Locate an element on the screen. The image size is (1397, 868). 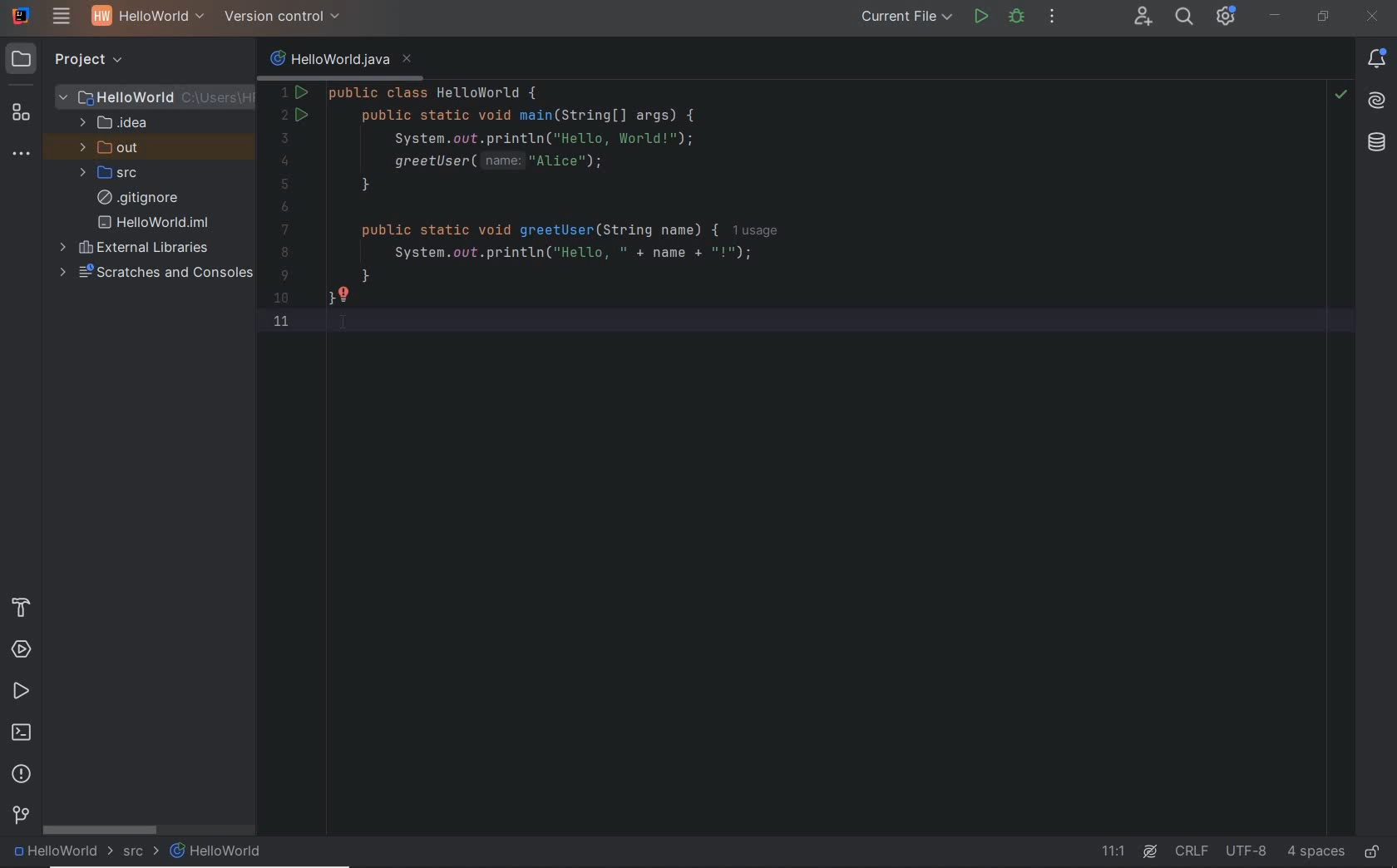
close is located at coordinates (1375, 17).